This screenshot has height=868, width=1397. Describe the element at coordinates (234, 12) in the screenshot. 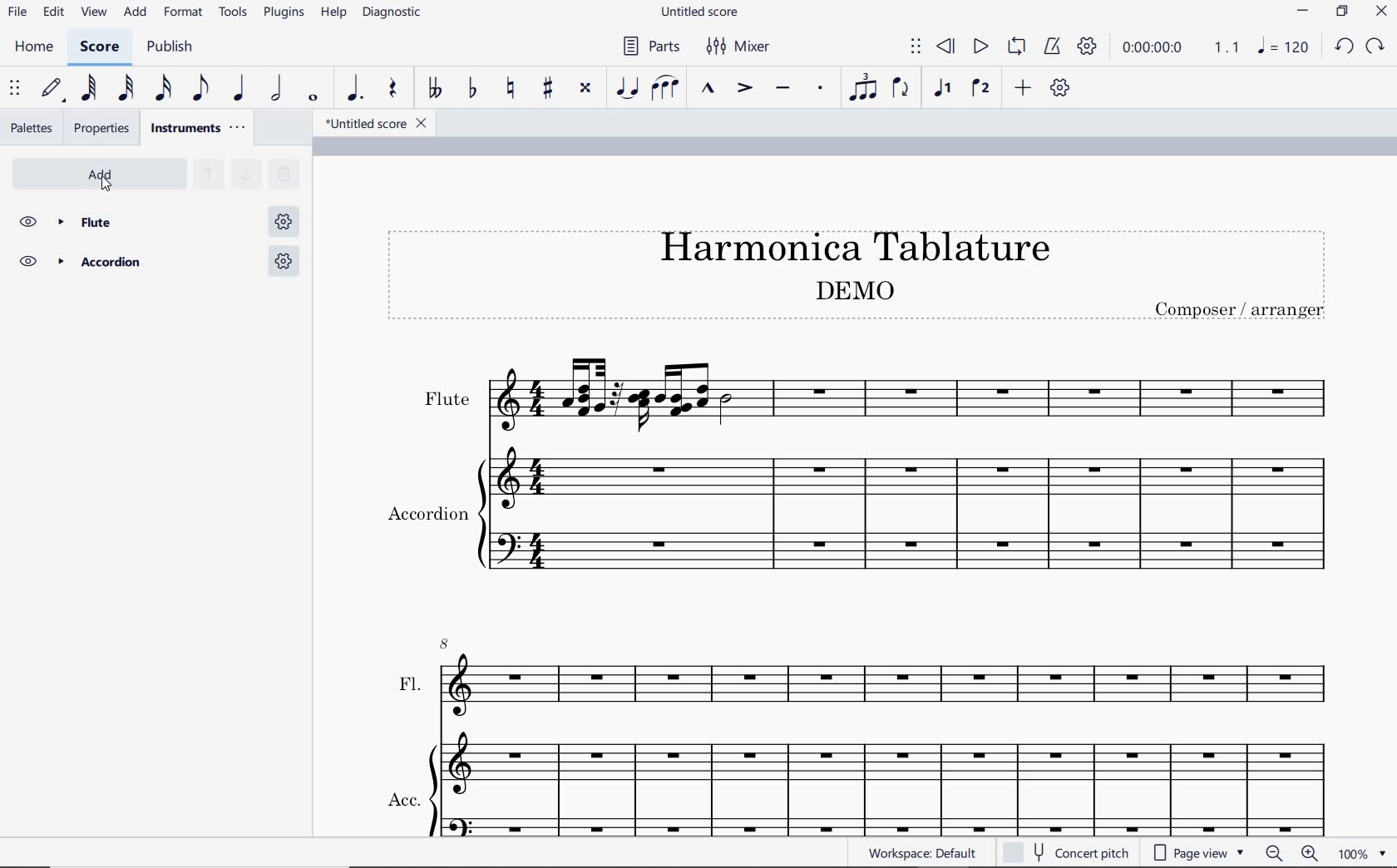

I see `TOOLS` at that location.